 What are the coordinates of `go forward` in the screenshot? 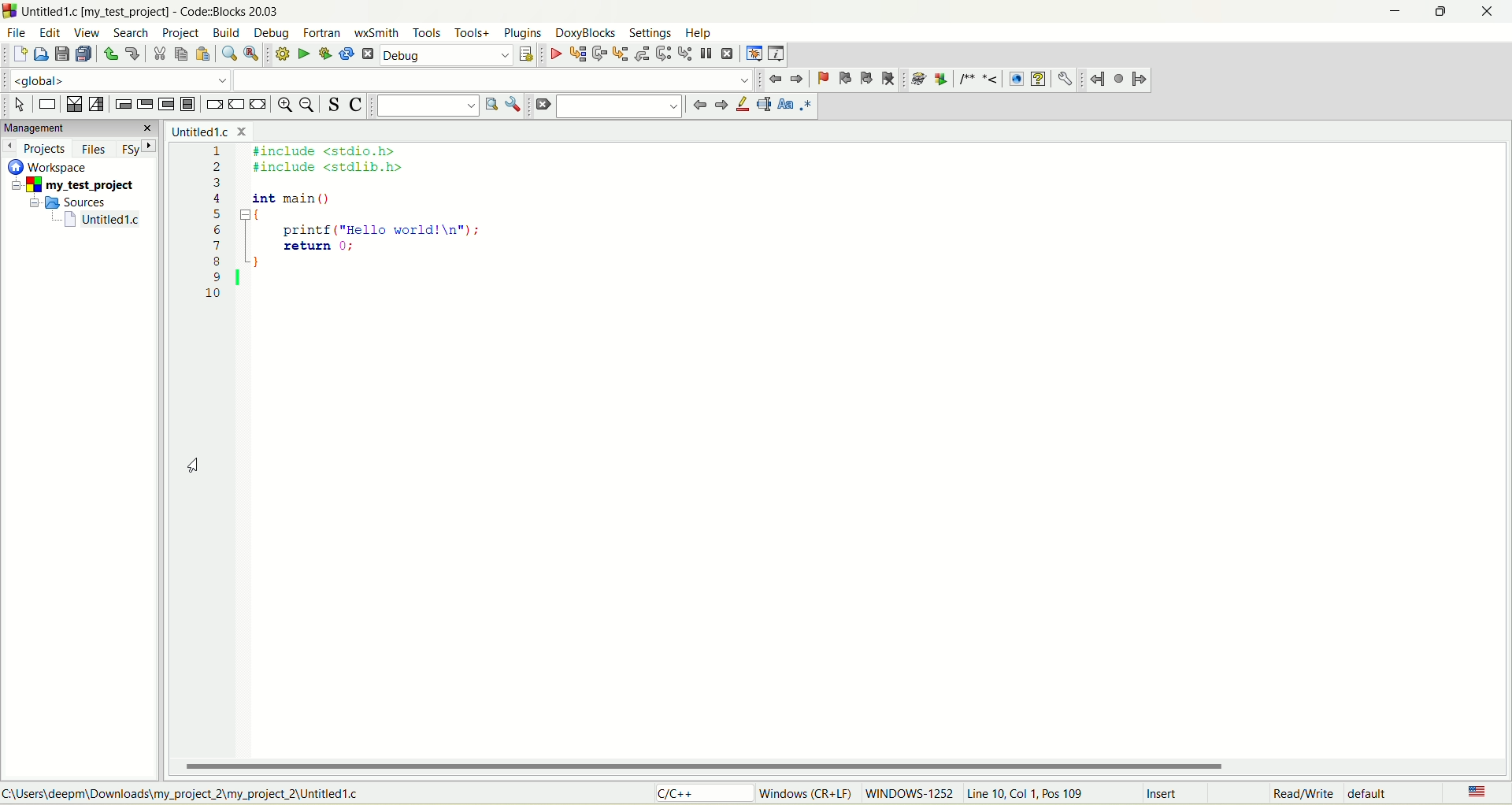 It's located at (721, 106).